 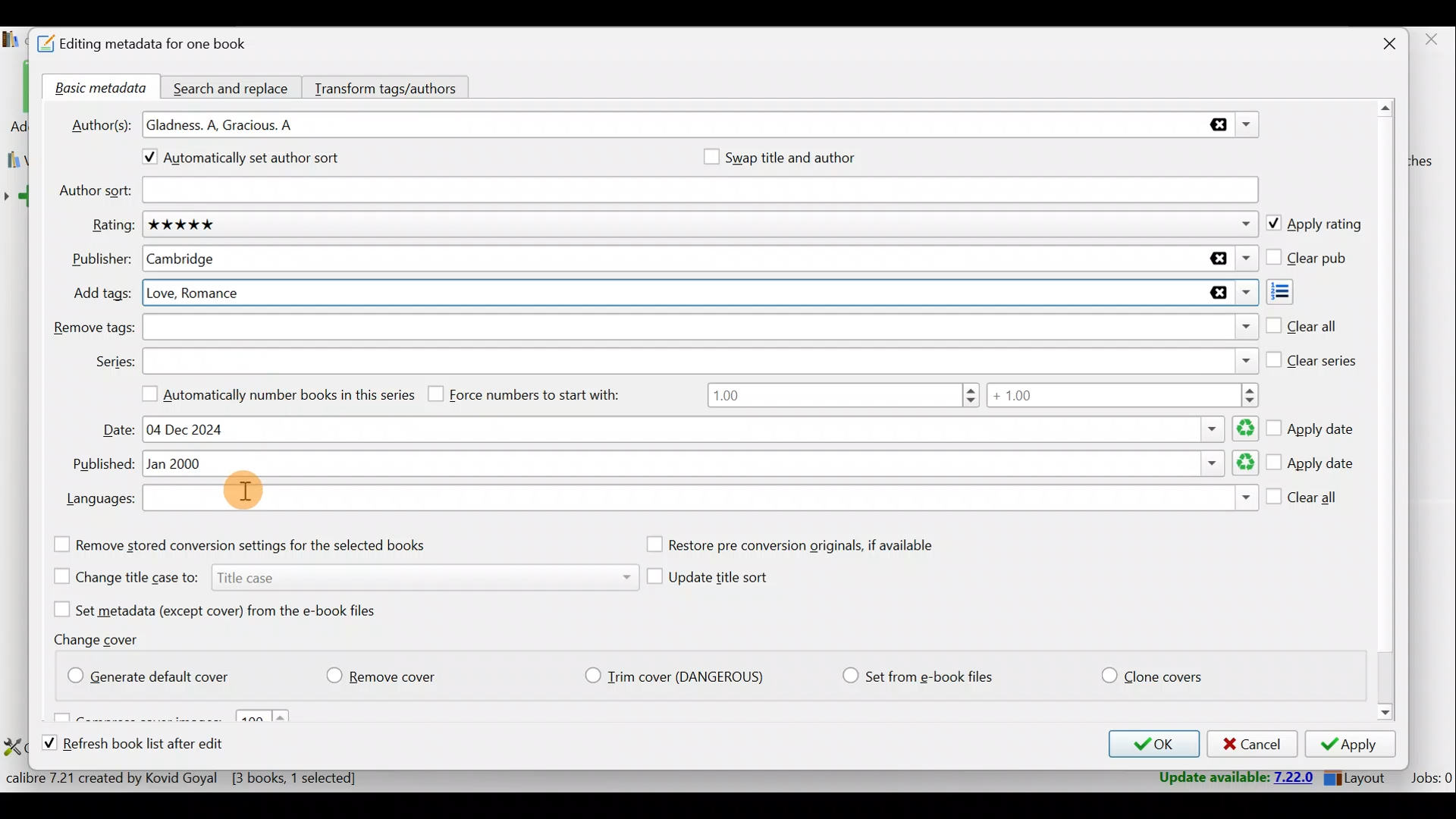 What do you see at coordinates (1358, 775) in the screenshot?
I see `Layout` at bounding box center [1358, 775].